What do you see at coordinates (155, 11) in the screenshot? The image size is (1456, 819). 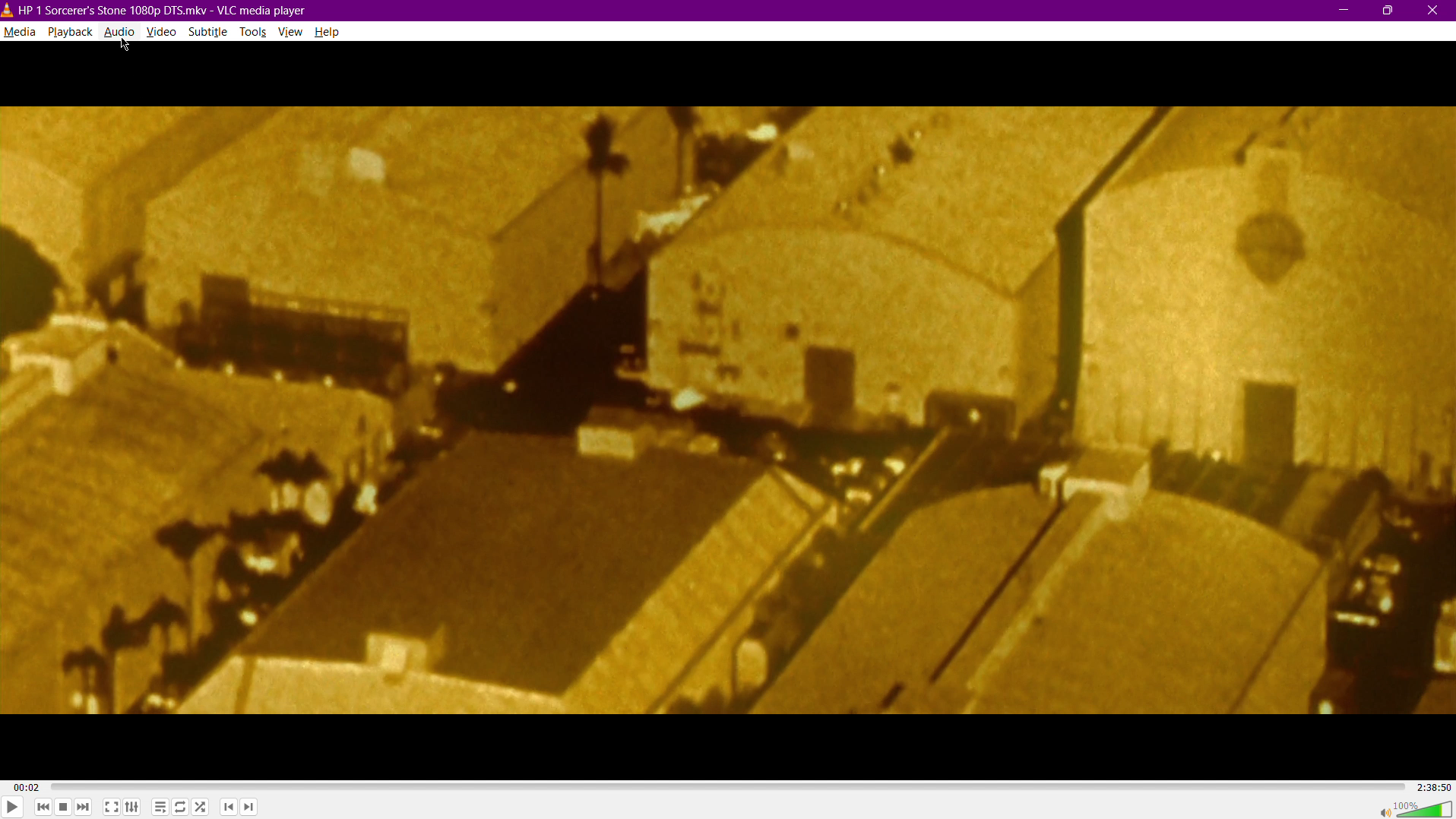 I see `HP | Sorcerer's Stone 1080p DTS.mkv - VLC media player` at bounding box center [155, 11].